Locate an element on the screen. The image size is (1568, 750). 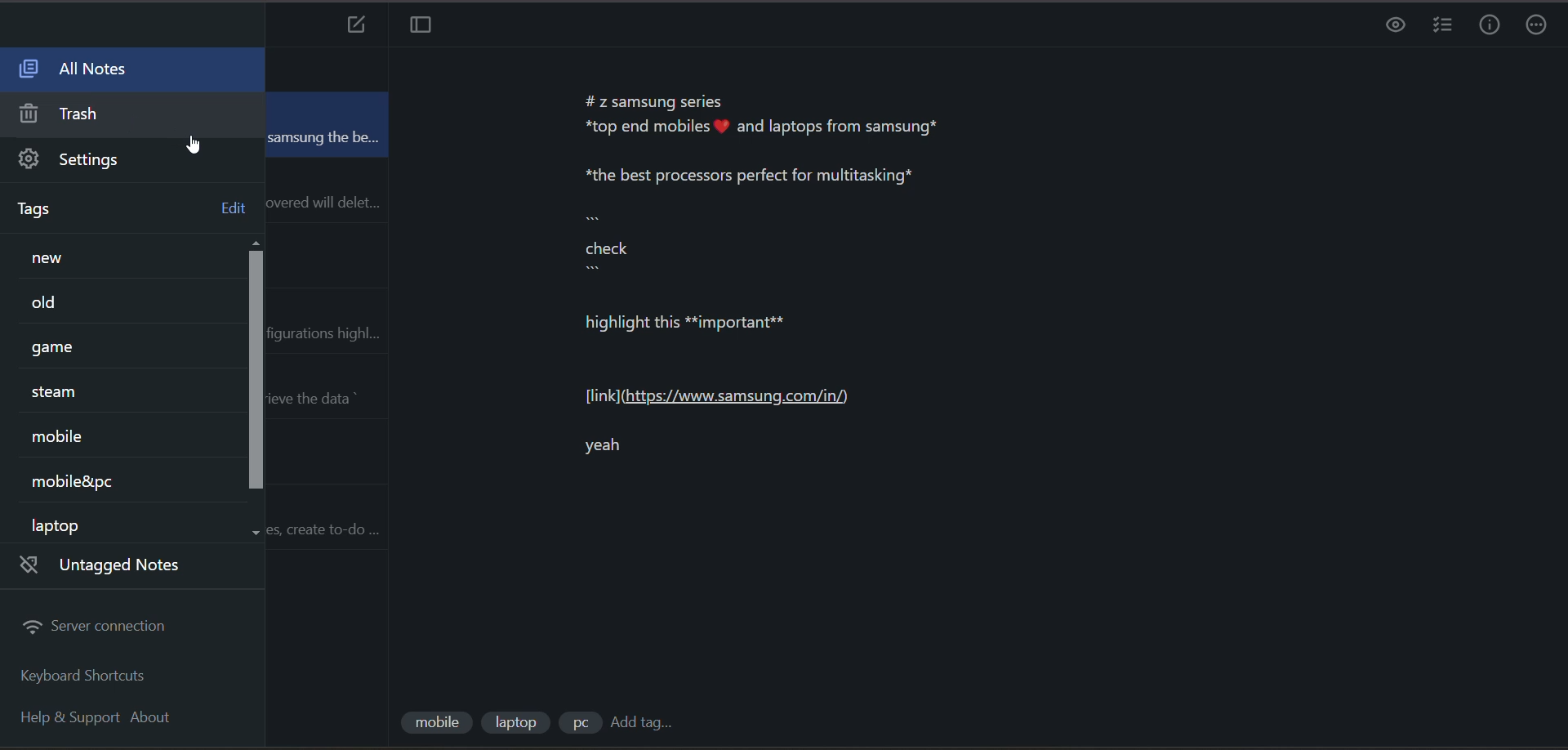
tag 1 is located at coordinates (436, 720).